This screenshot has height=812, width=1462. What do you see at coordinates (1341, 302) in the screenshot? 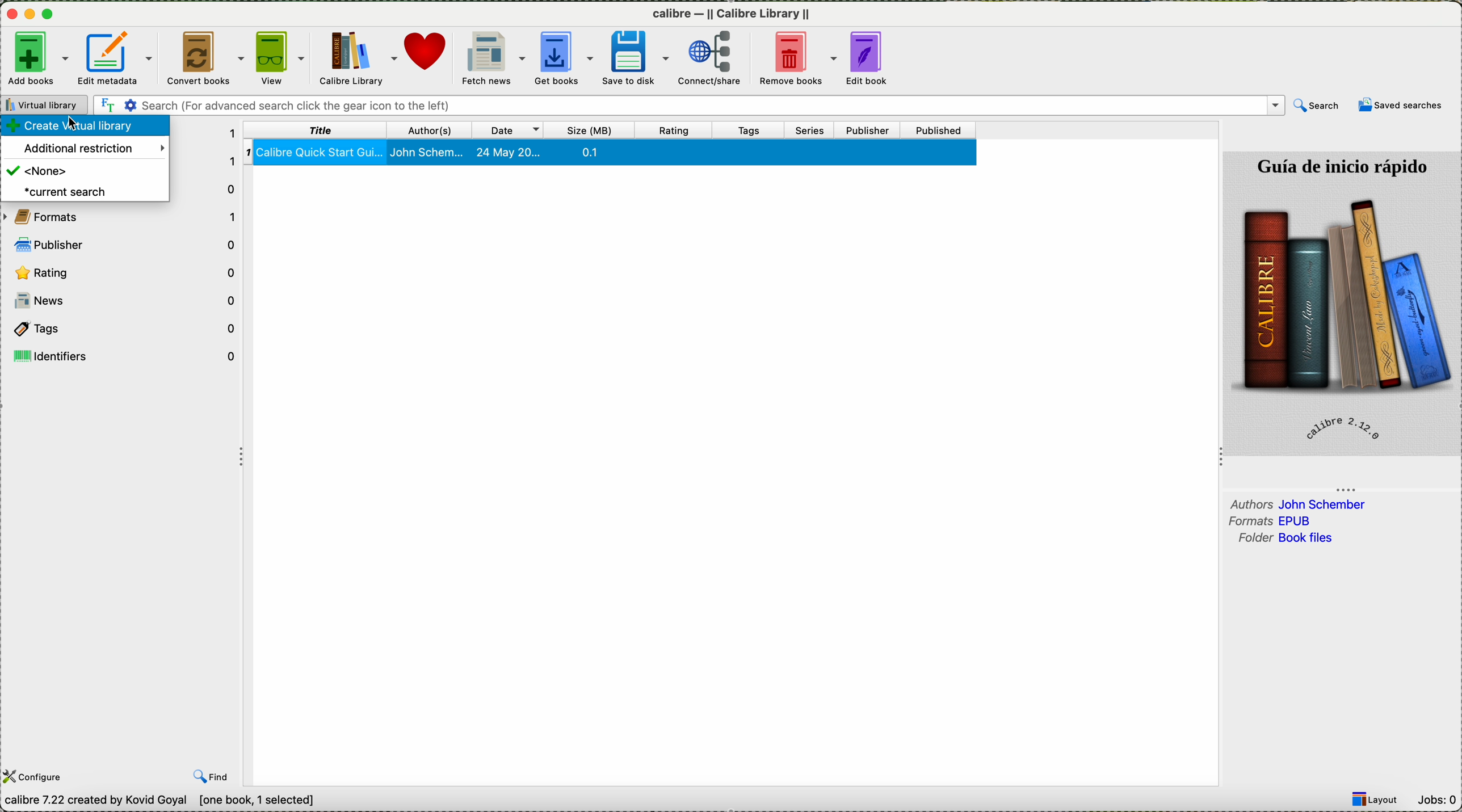
I see `calibre quick start guide preview` at bounding box center [1341, 302].